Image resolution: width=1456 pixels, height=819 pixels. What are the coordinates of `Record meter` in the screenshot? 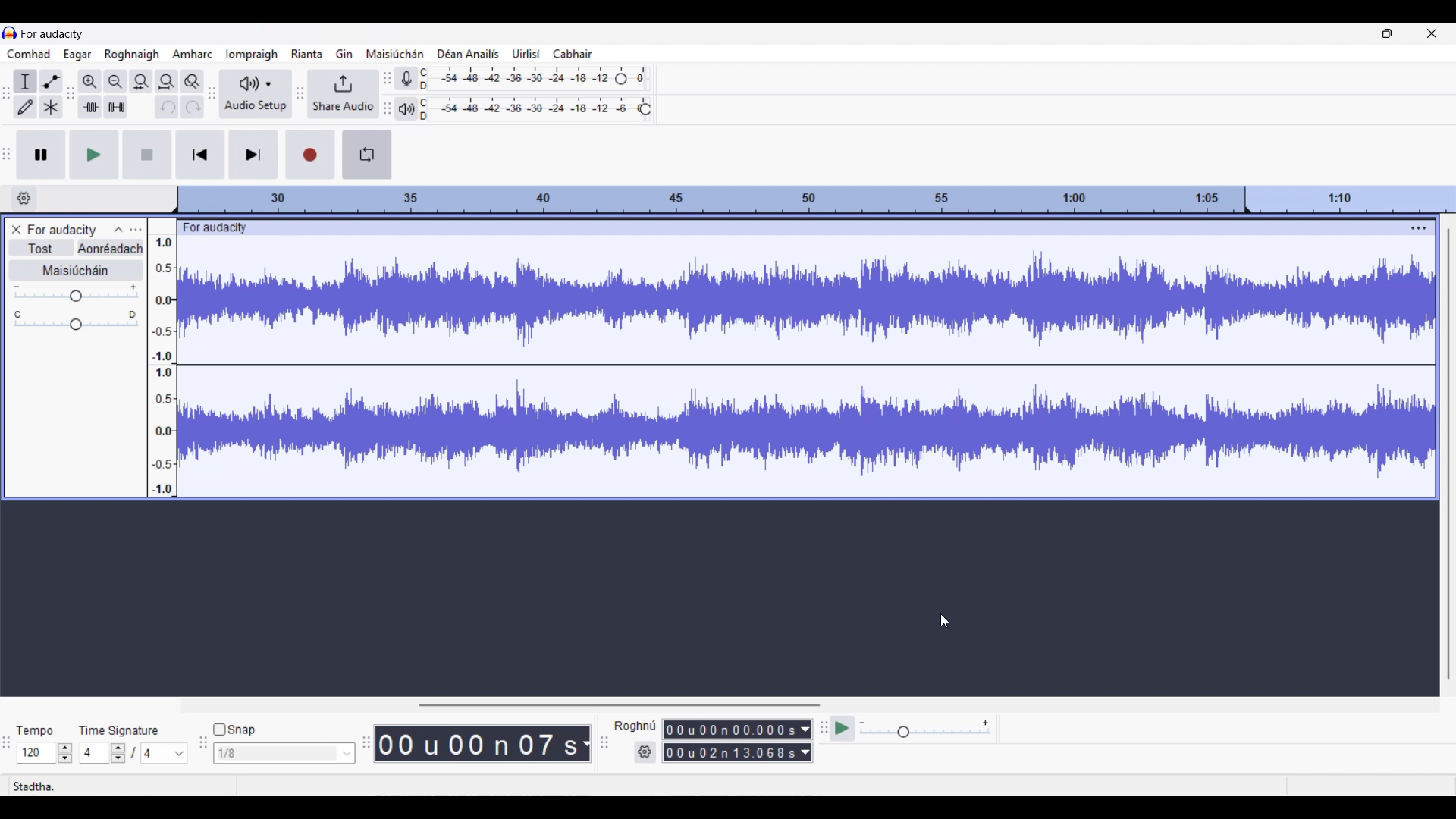 It's located at (406, 78).